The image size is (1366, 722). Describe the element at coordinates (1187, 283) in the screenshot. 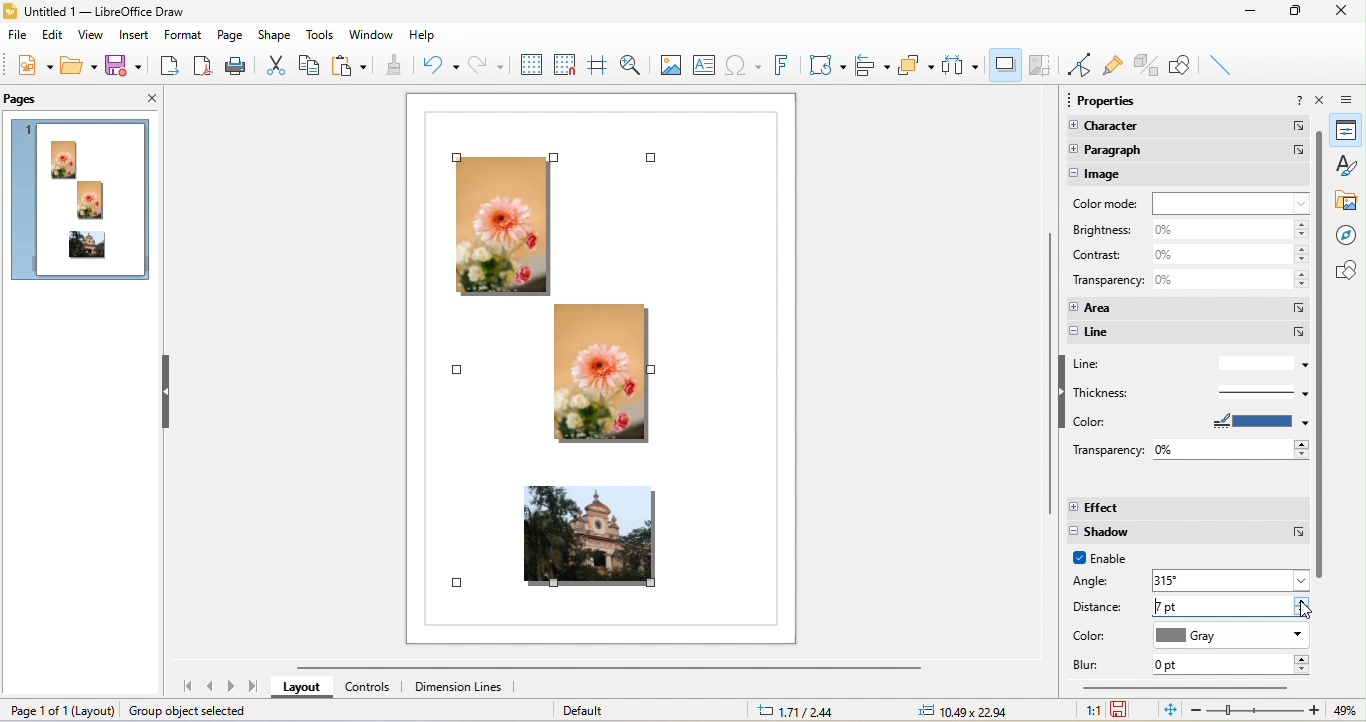

I see `transparency 0%` at that location.